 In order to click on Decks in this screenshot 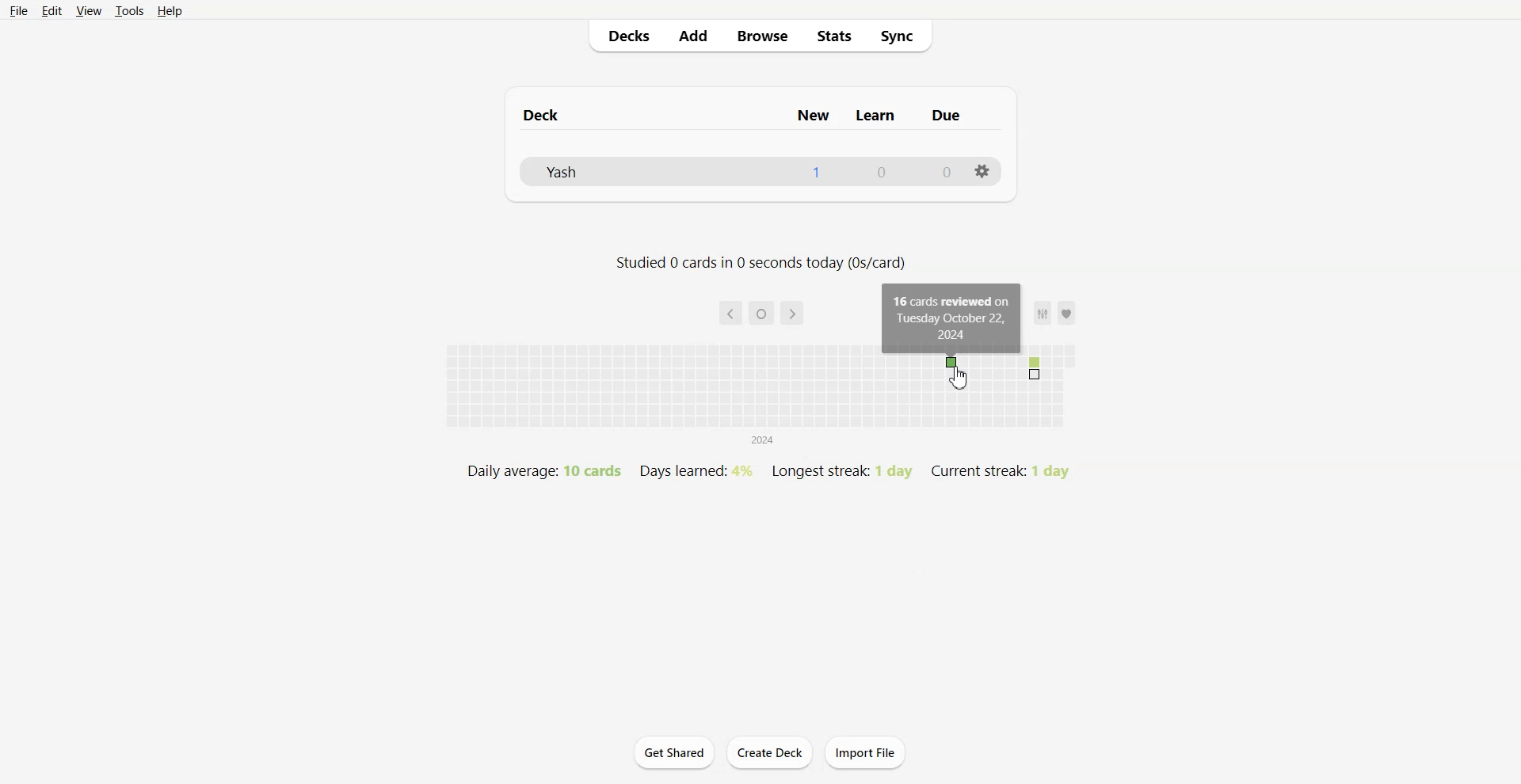, I will do `click(623, 36)`.